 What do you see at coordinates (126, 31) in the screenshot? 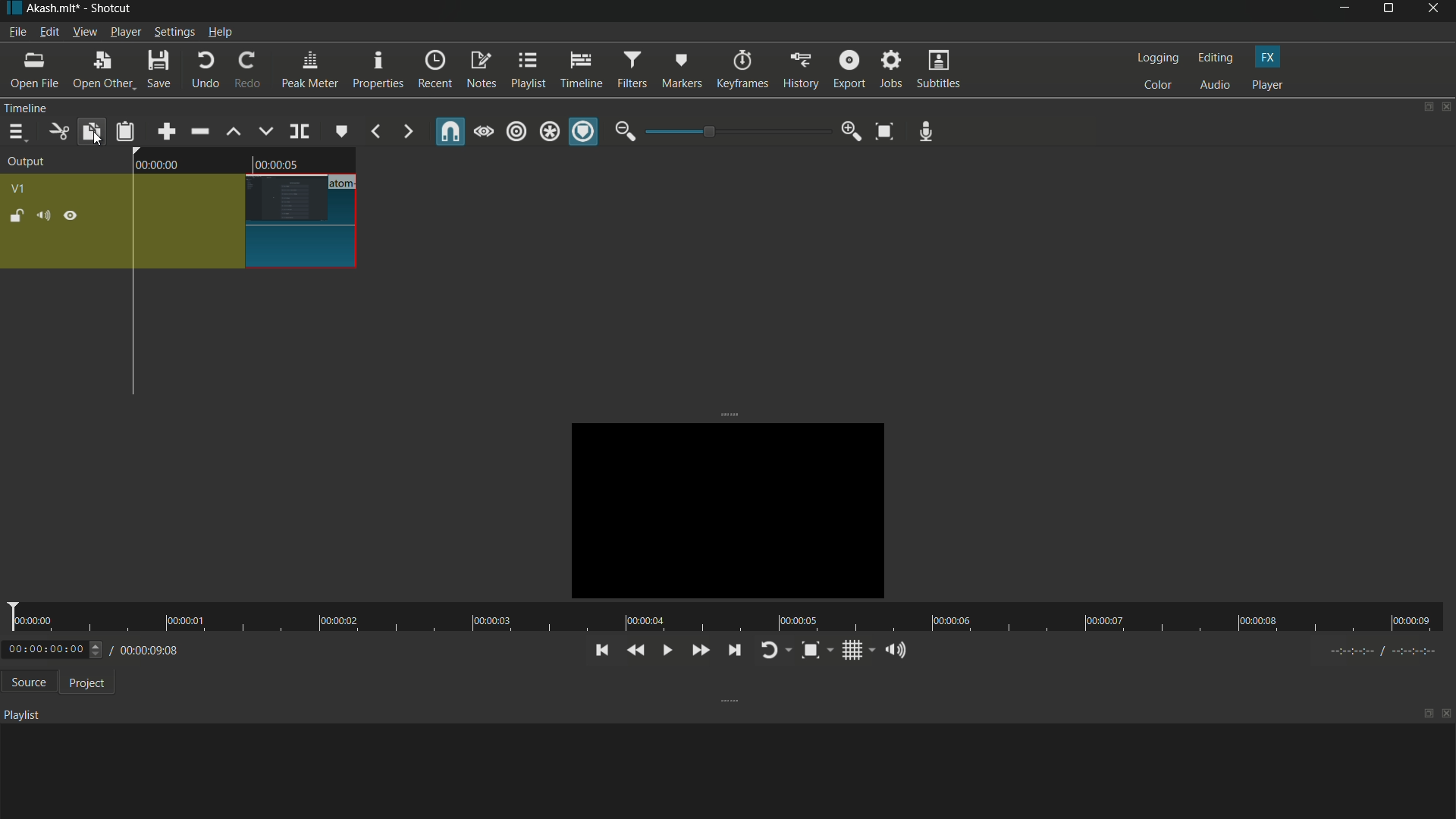
I see `player menu` at bounding box center [126, 31].